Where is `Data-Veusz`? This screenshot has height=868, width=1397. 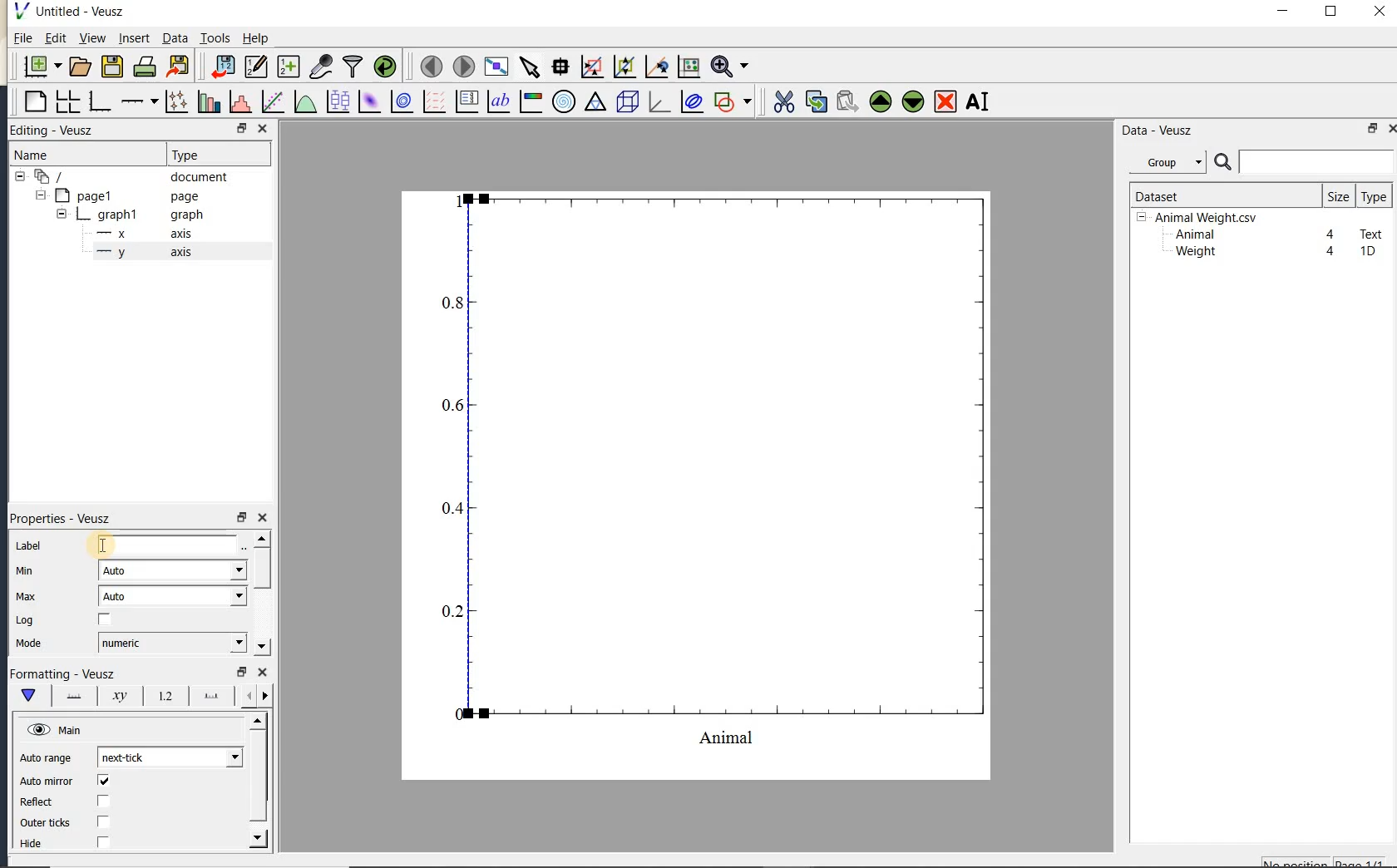
Data-Veusz is located at coordinates (1158, 131).